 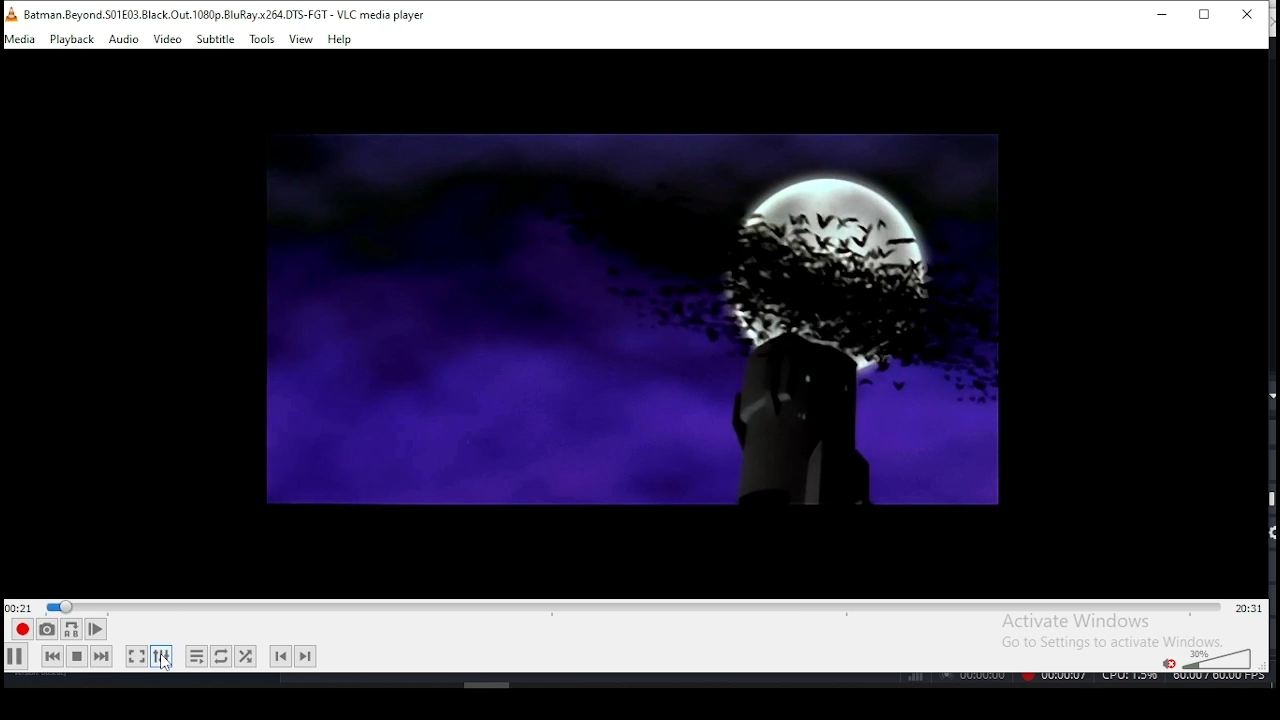 What do you see at coordinates (163, 657) in the screenshot?
I see `show extended settings` at bounding box center [163, 657].